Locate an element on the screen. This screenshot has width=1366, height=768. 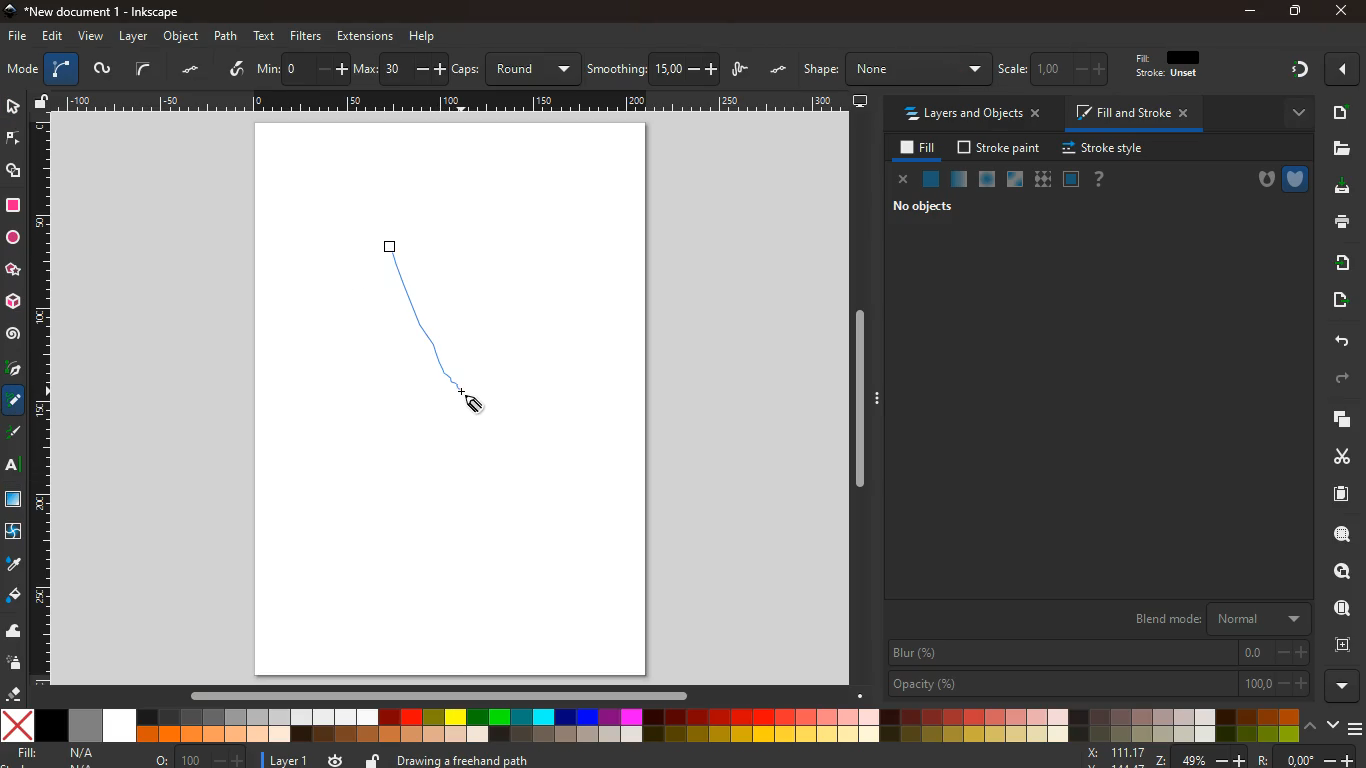
coloring is located at coordinates (14, 401).